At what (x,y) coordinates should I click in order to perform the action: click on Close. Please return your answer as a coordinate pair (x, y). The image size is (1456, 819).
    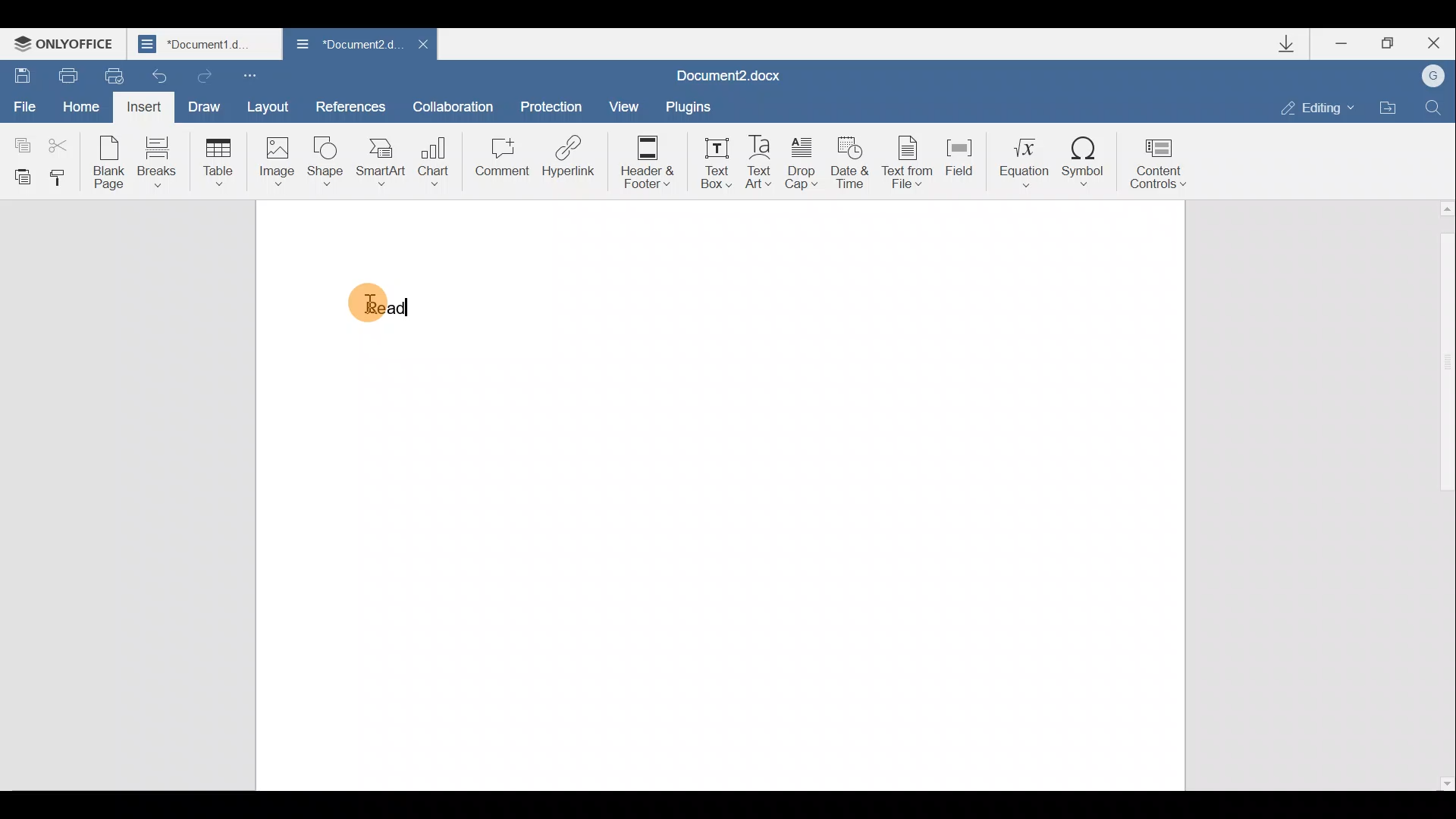
    Looking at the image, I should click on (1439, 42).